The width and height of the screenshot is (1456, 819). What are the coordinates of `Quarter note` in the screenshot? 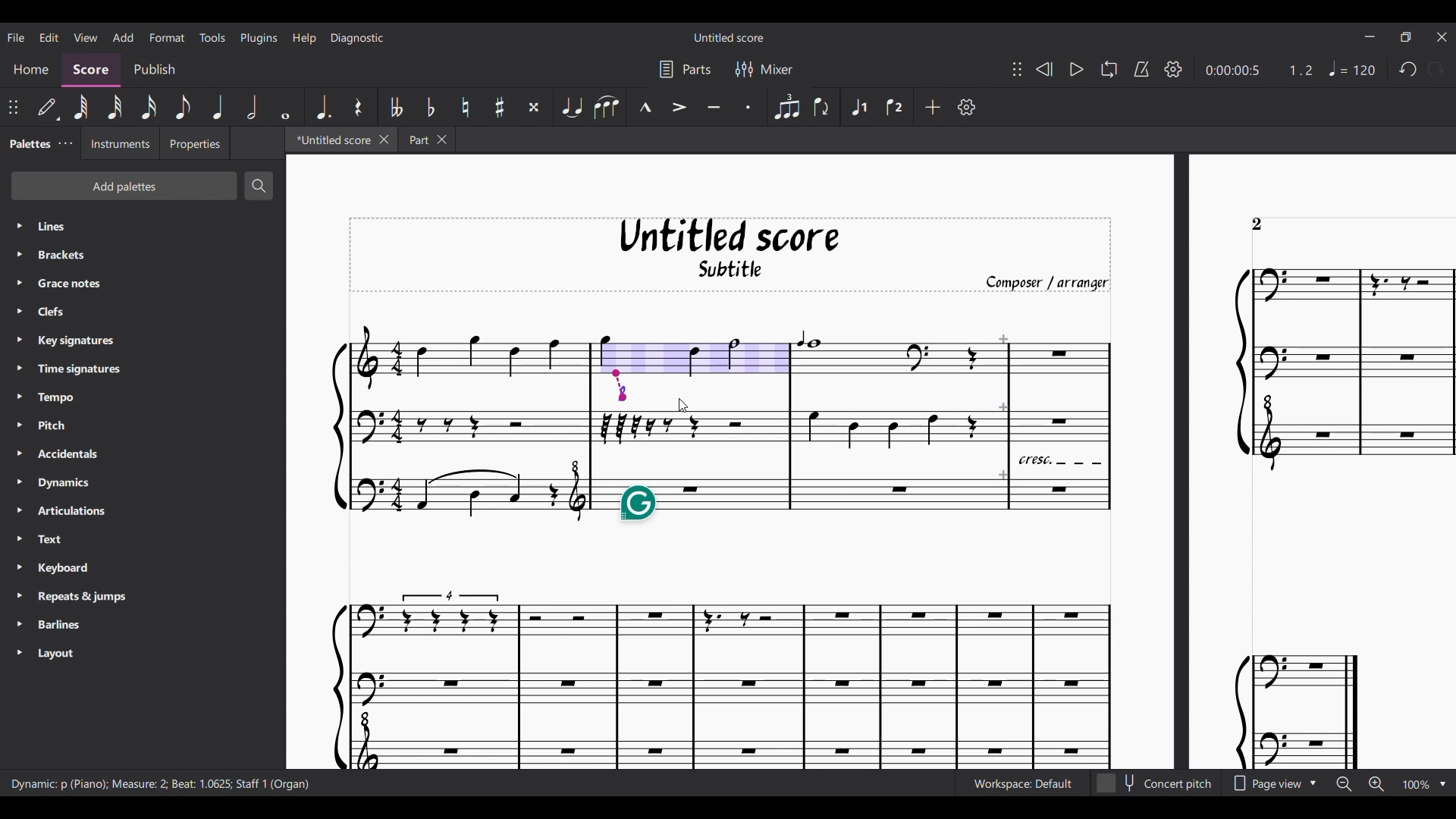 It's located at (219, 107).